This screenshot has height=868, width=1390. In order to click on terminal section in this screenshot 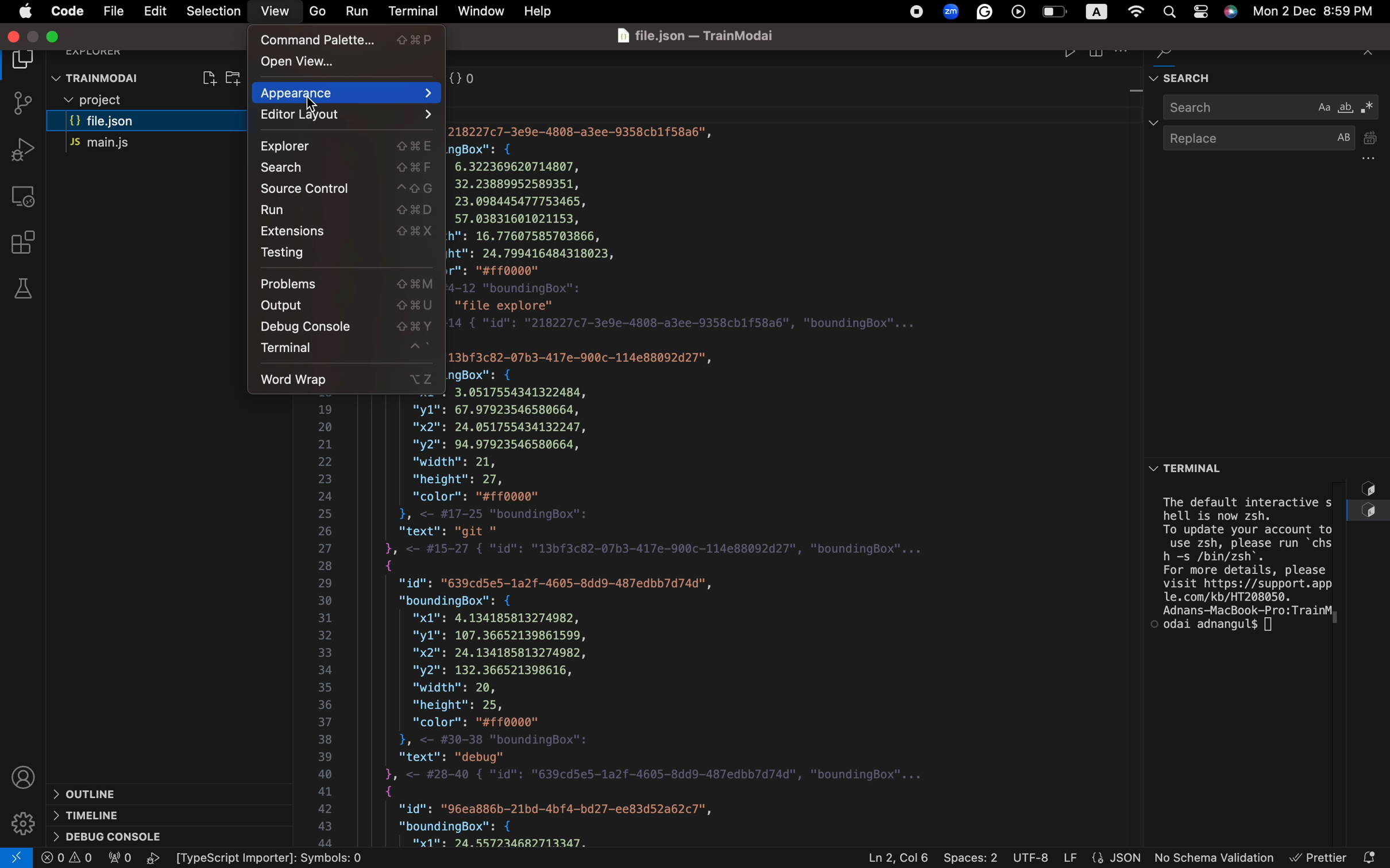, I will do `click(1269, 658)`.